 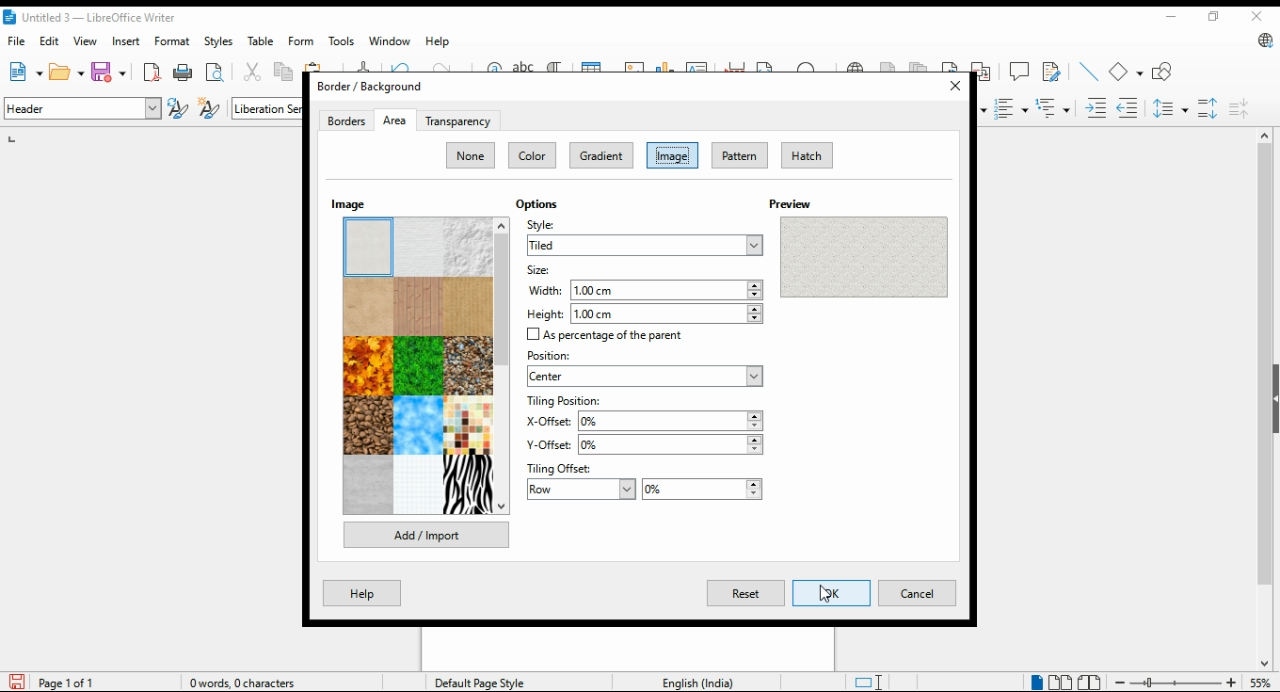 What do you see at coordinates (419, 486) in the screenshot?
I see `image option 14` at bounding box center [419, 486].